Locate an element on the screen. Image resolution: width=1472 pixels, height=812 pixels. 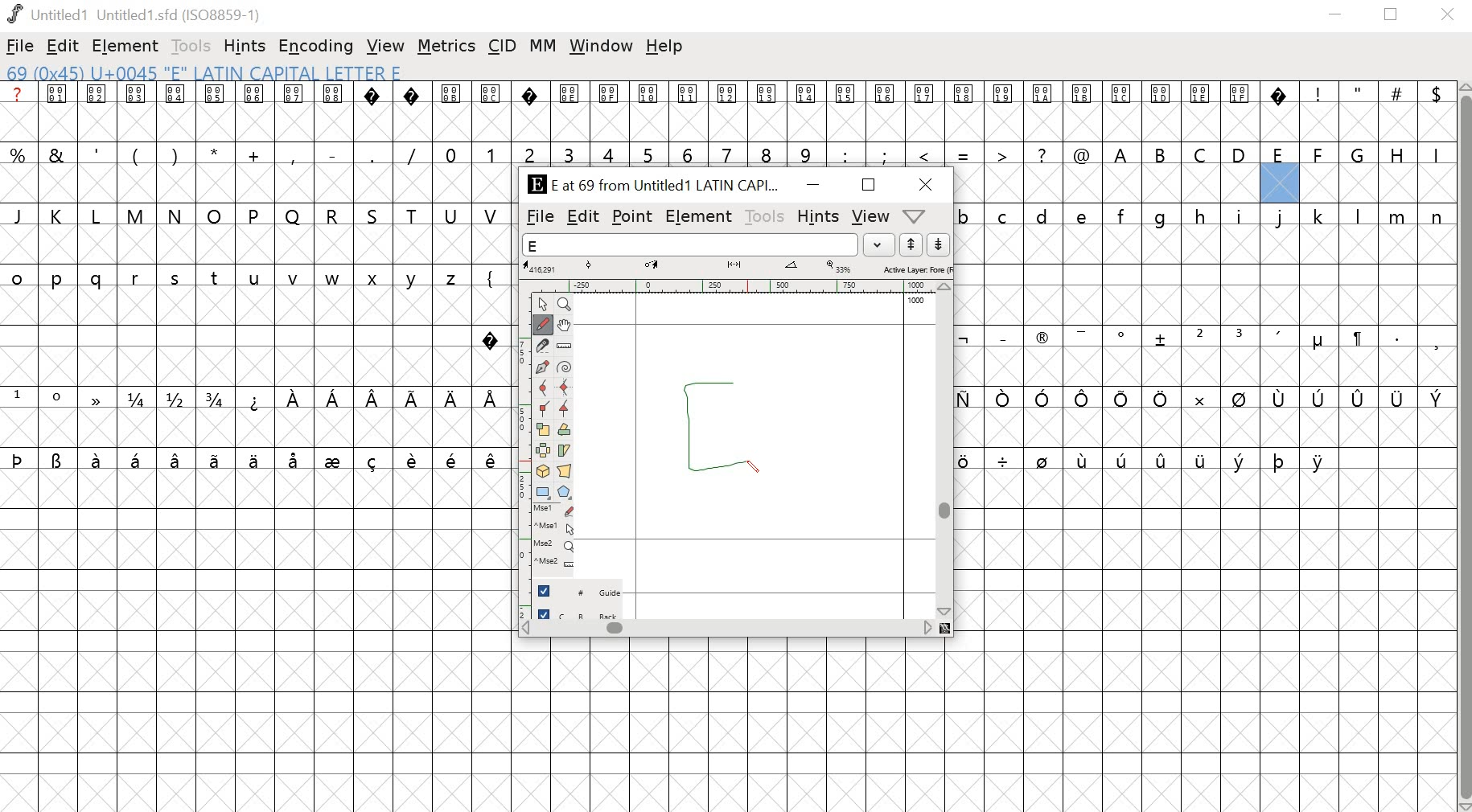
hints is located at coordinates (818, 216).